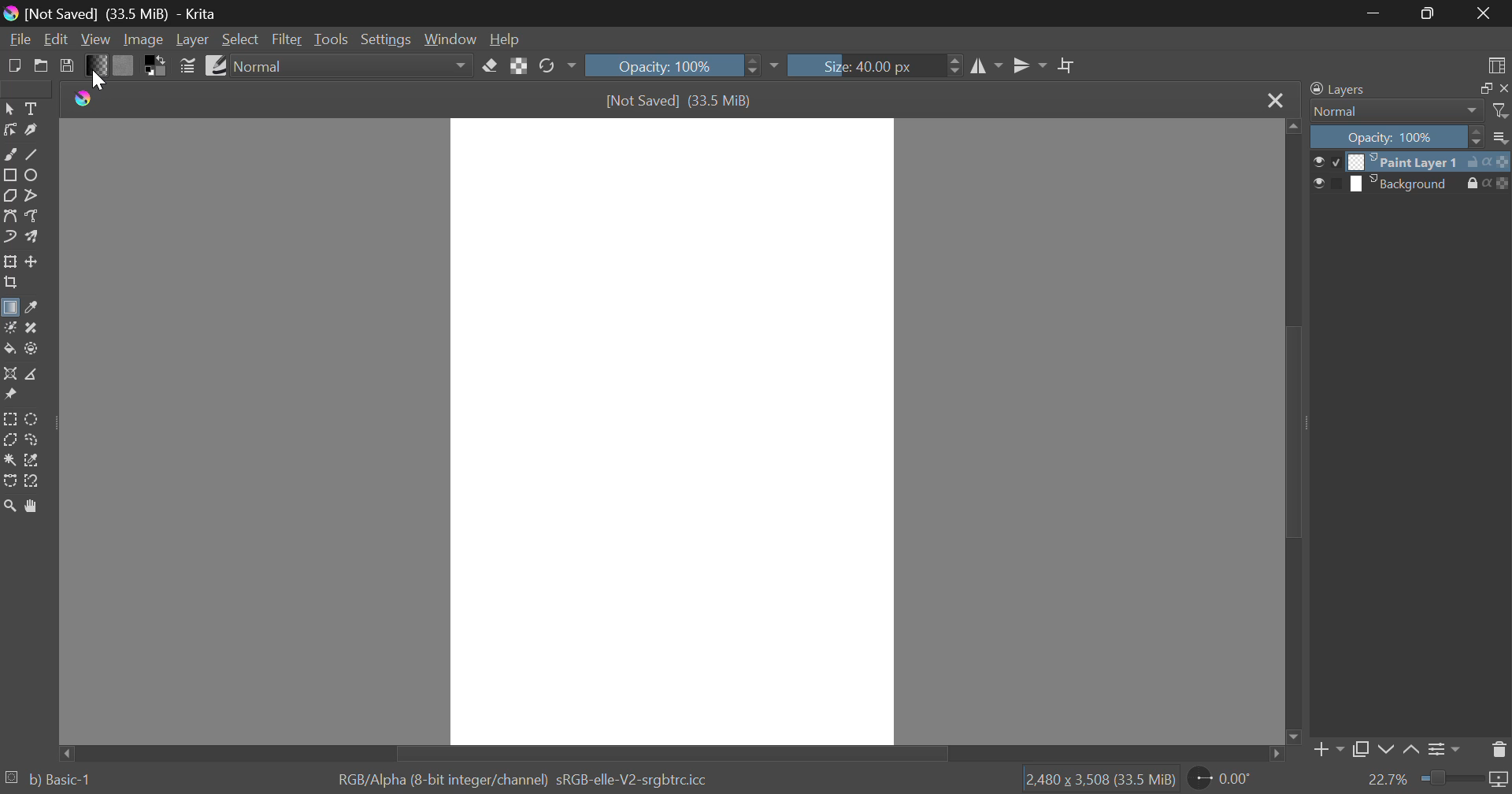 Image resolution: width=1512 pixels, height=794 pixels. I want to click on Magnetic Selection, so click(31, 481).